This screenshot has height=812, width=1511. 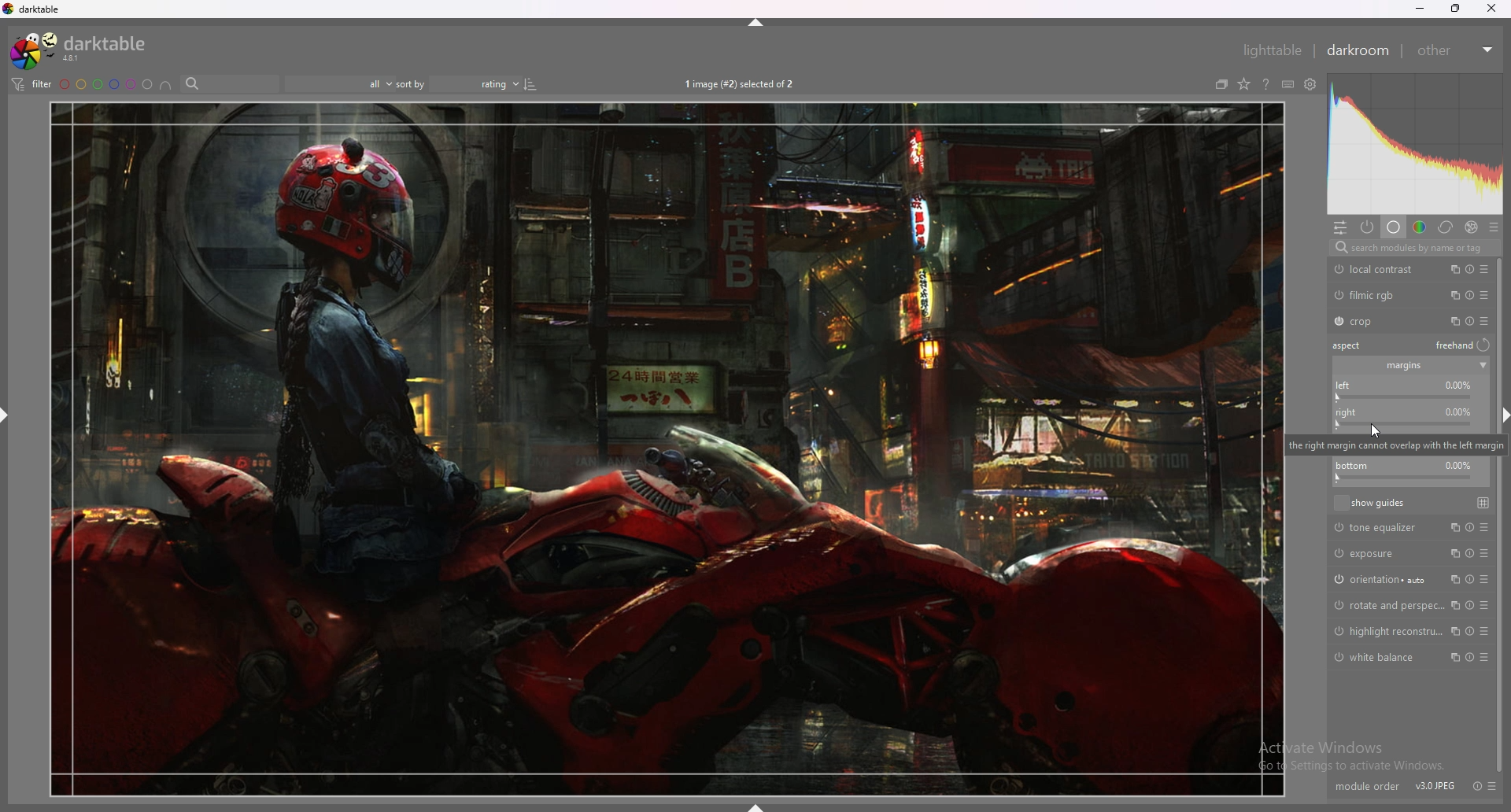 What do you see at coordinates (1469, 321) in the screenshot?
I see `reset` at bounding box center [1469, 321].